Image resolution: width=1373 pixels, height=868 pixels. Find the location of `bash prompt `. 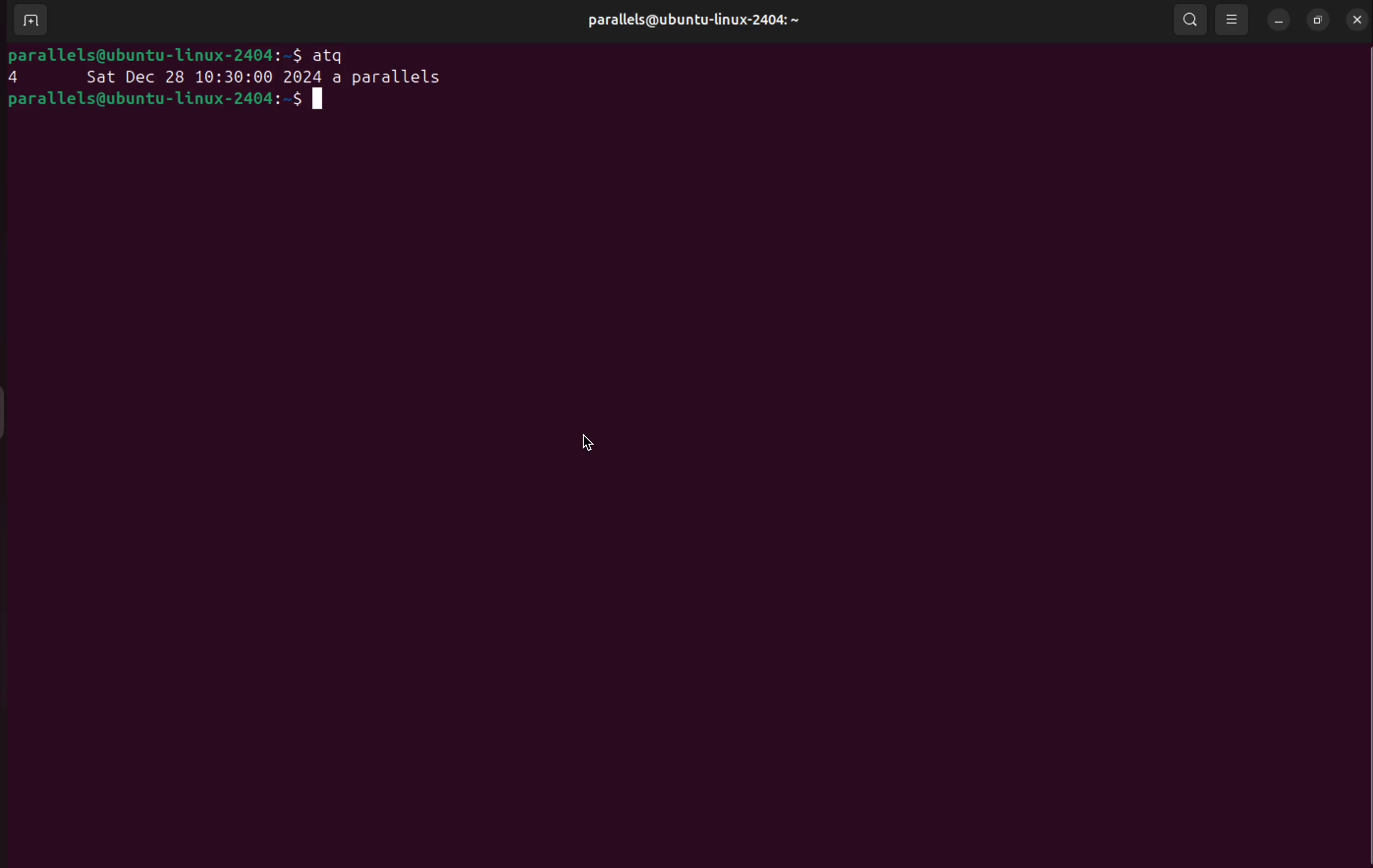

bash prompt  is located at coordinates (168, 100).